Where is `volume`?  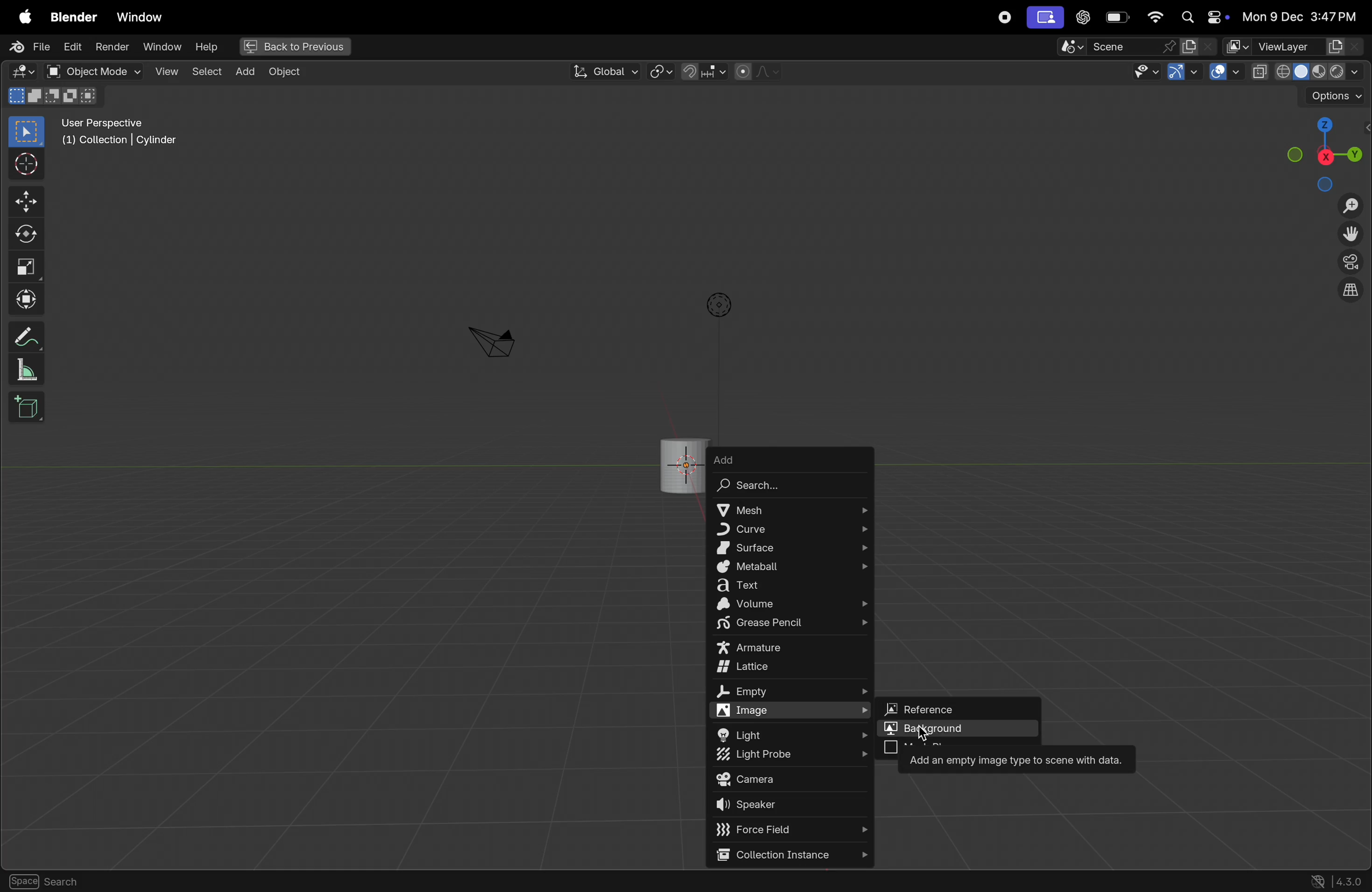 volume is located at coordinates (791, 605).